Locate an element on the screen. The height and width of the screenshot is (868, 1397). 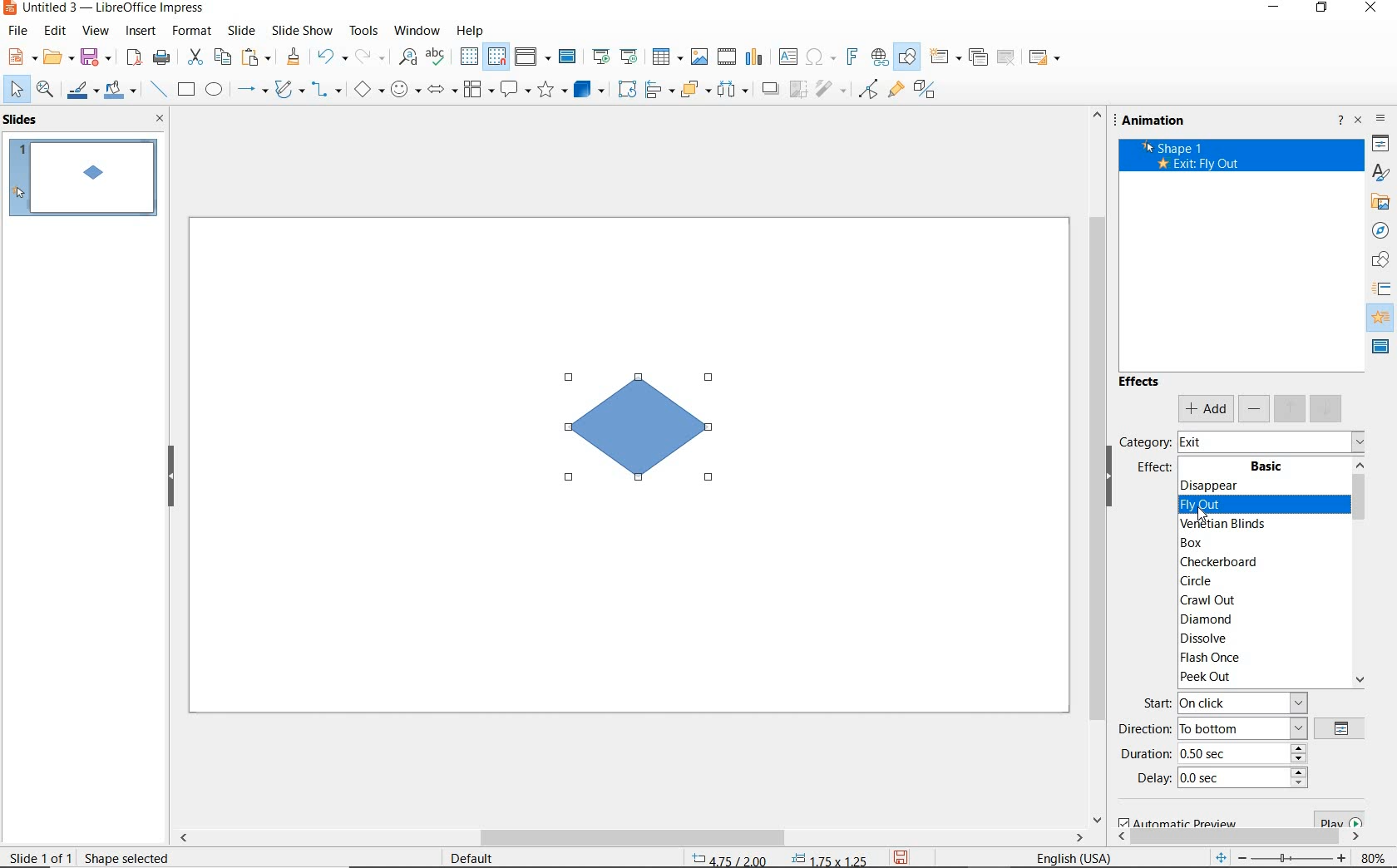
fill color is located at coordinates (121, 91).